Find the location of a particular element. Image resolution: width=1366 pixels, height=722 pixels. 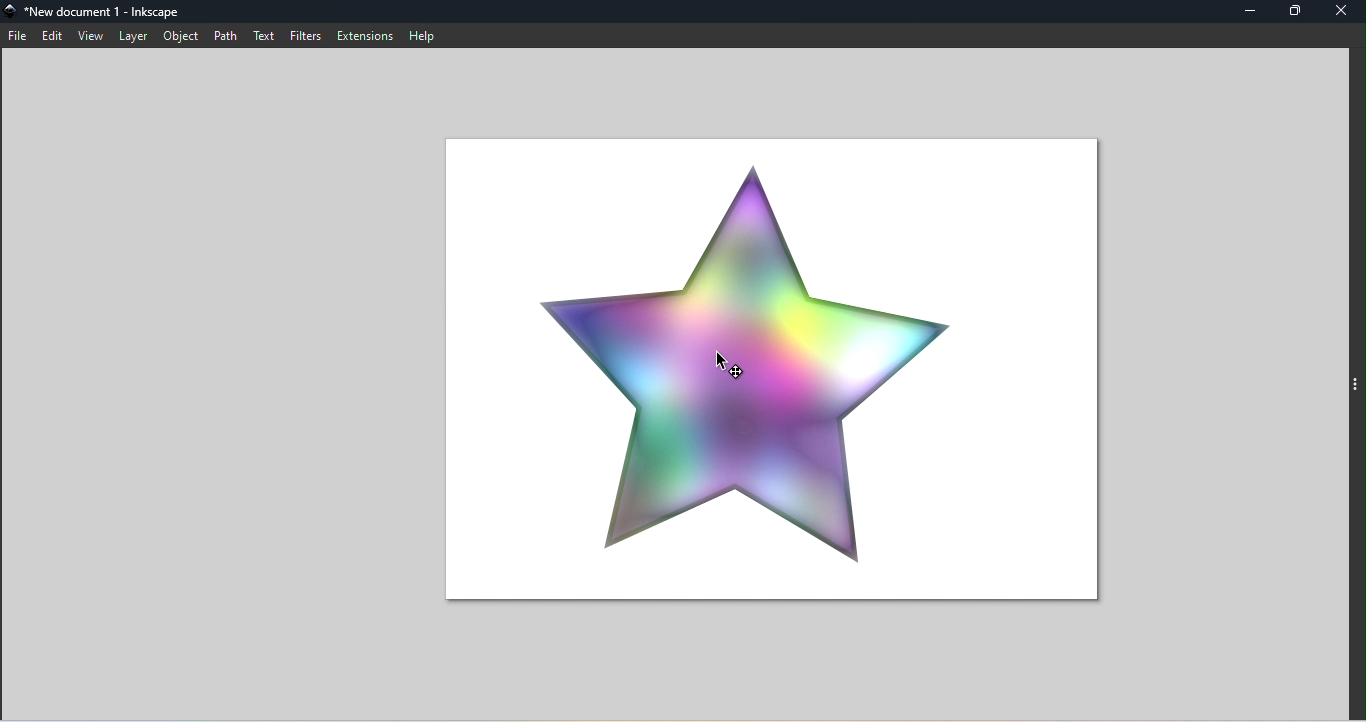

Canvas is located at coordinates (770, 374).